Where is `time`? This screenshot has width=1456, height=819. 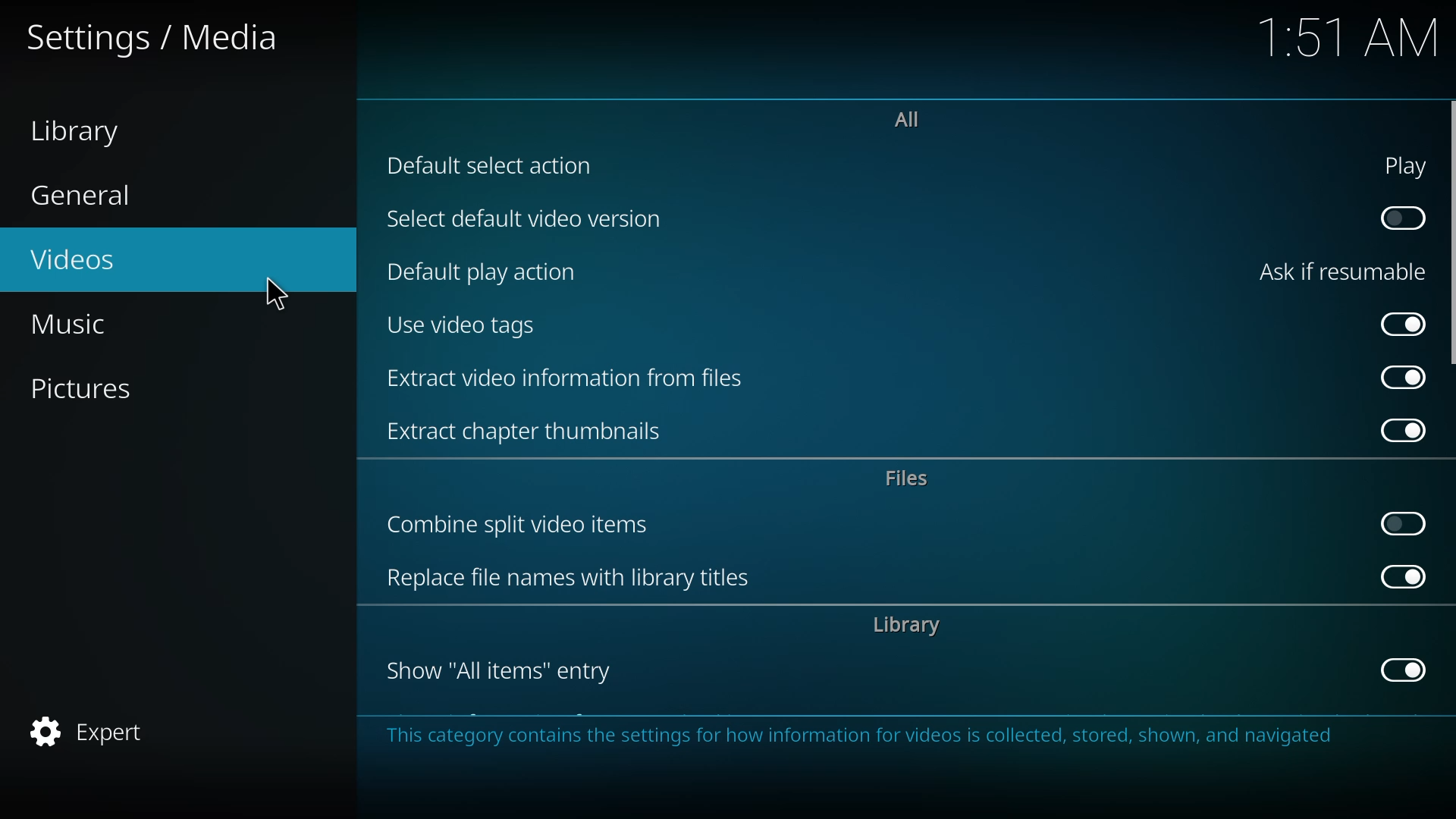
time is located at coordinates (1351, 35).